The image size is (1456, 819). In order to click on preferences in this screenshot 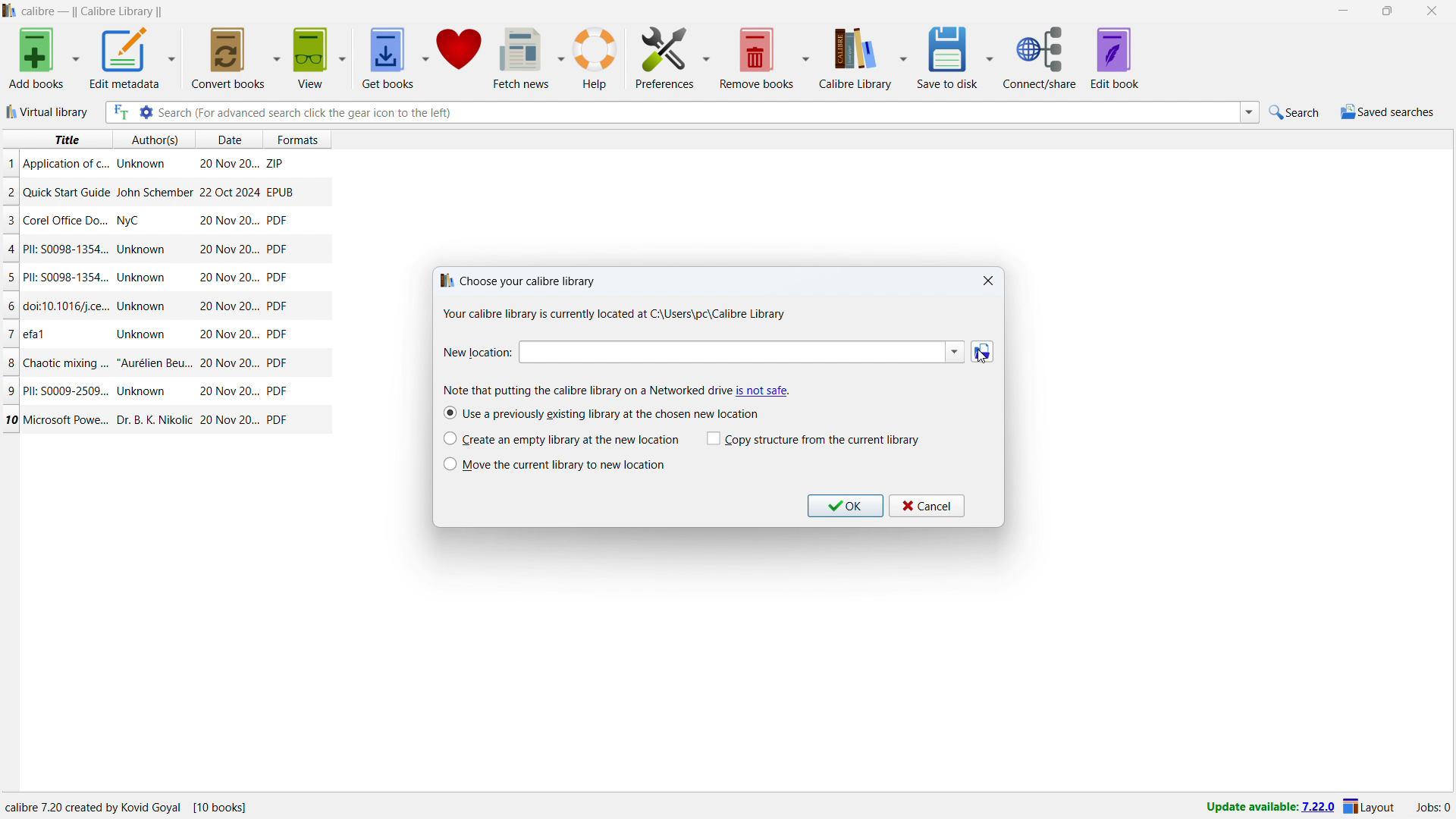, I will do `click(666, 56)`.